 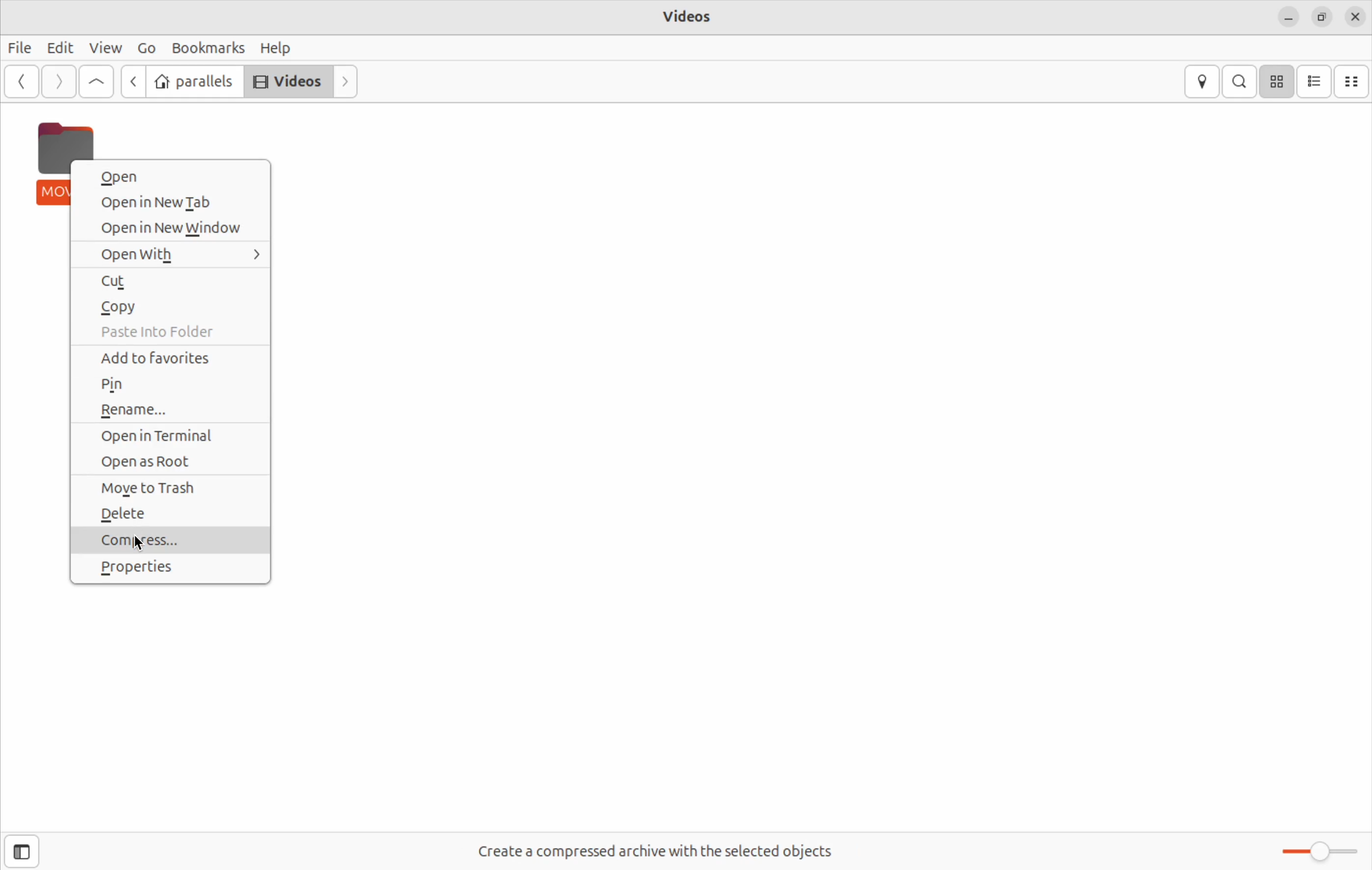 I want to click on close, so click(x=1355, y=16).